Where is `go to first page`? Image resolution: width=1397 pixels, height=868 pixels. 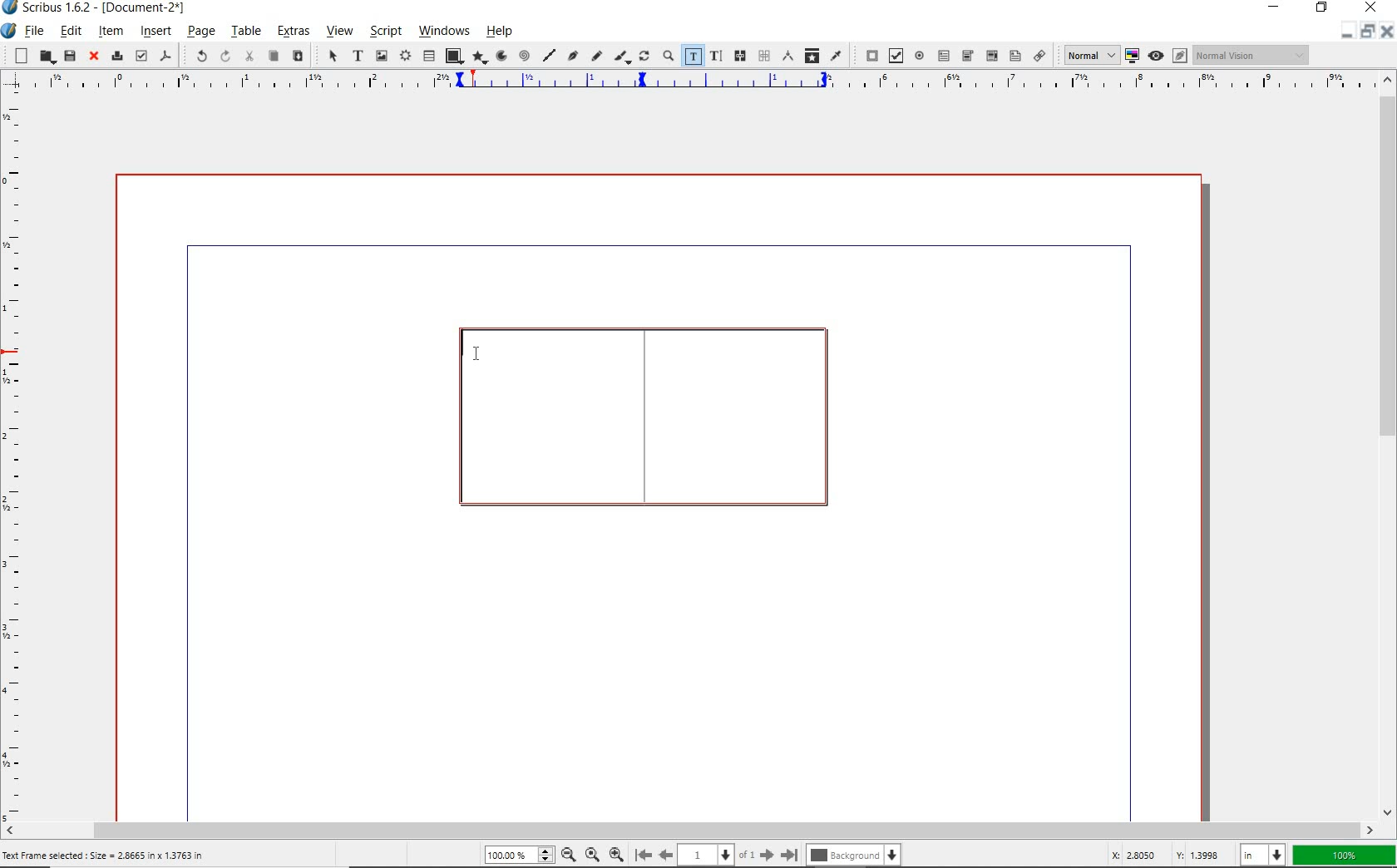
go to first page is located at coordinates (644, 855).